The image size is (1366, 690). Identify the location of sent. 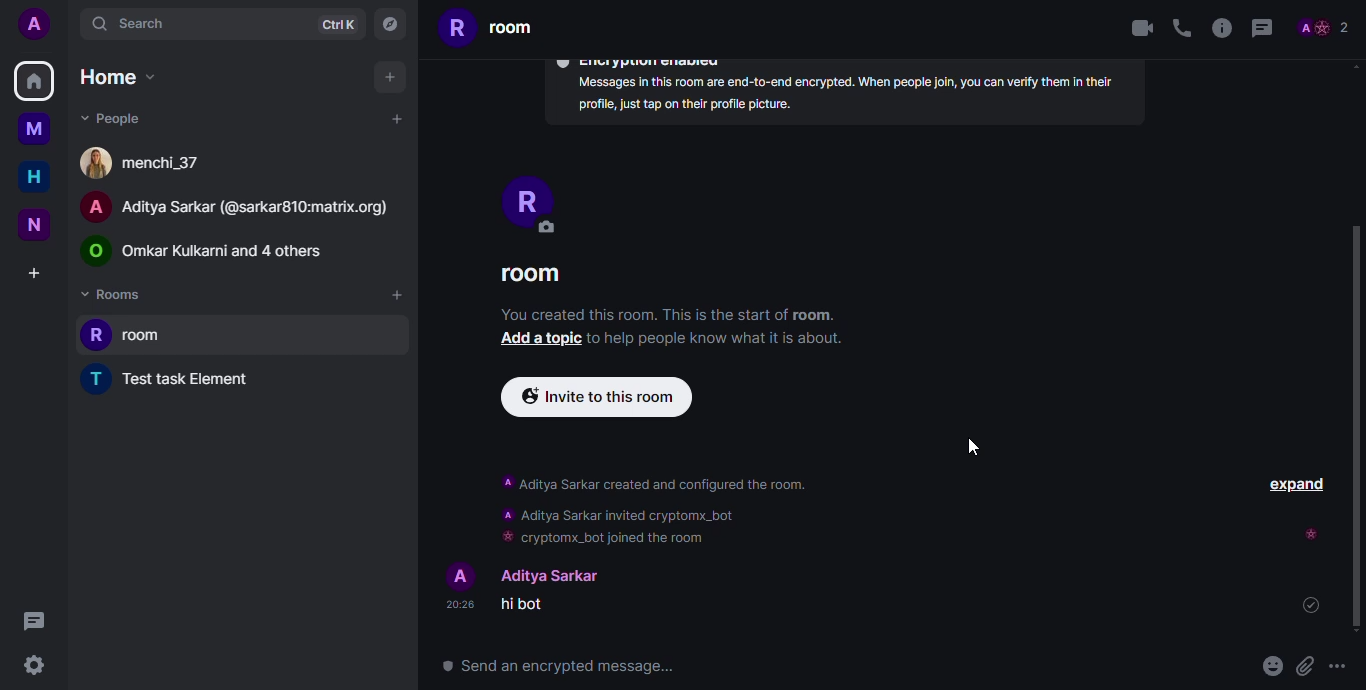
(1308, 606).